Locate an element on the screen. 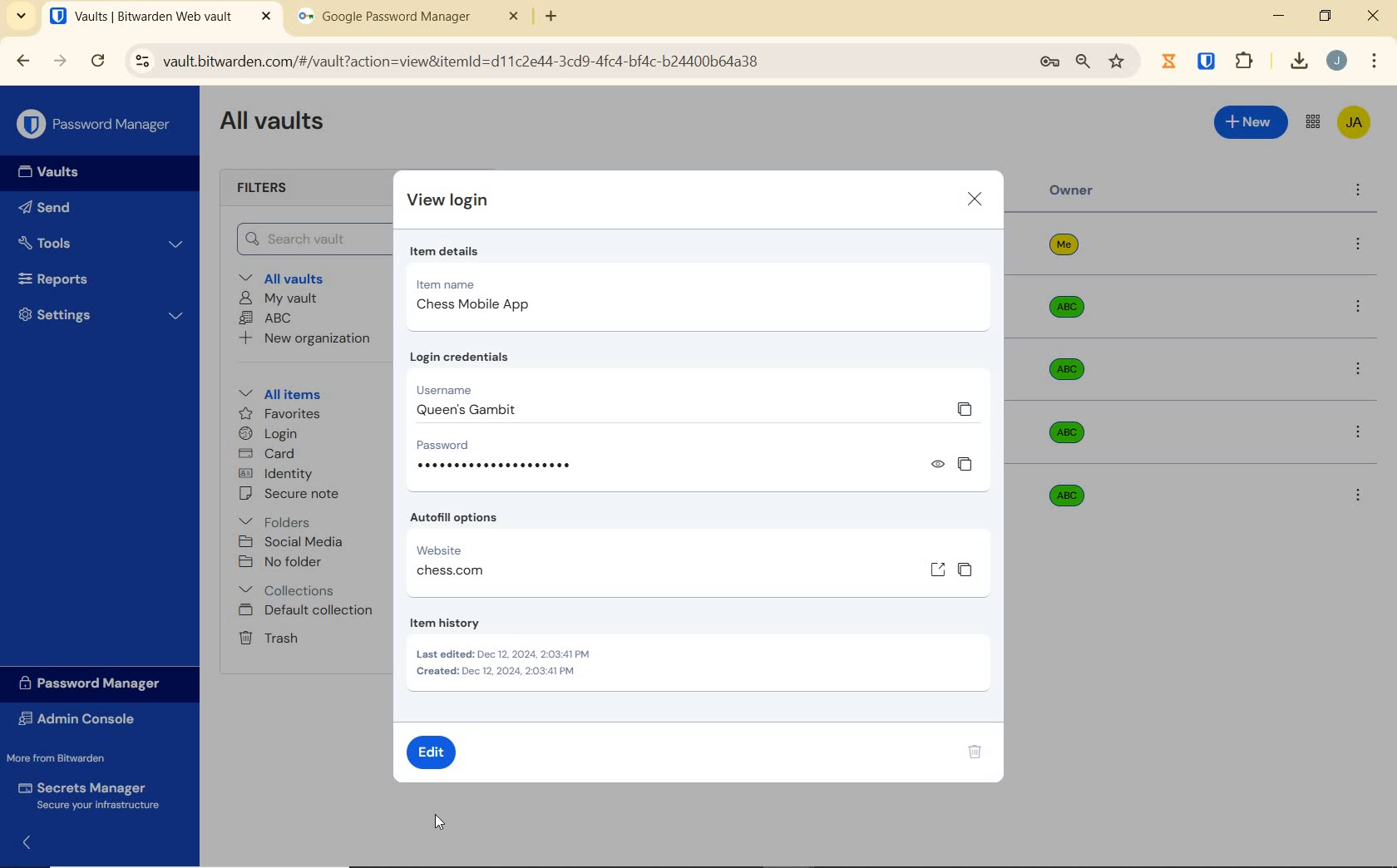 This screenshot has height=868, width=1397. My Vault is located at coordinates (279, 298).